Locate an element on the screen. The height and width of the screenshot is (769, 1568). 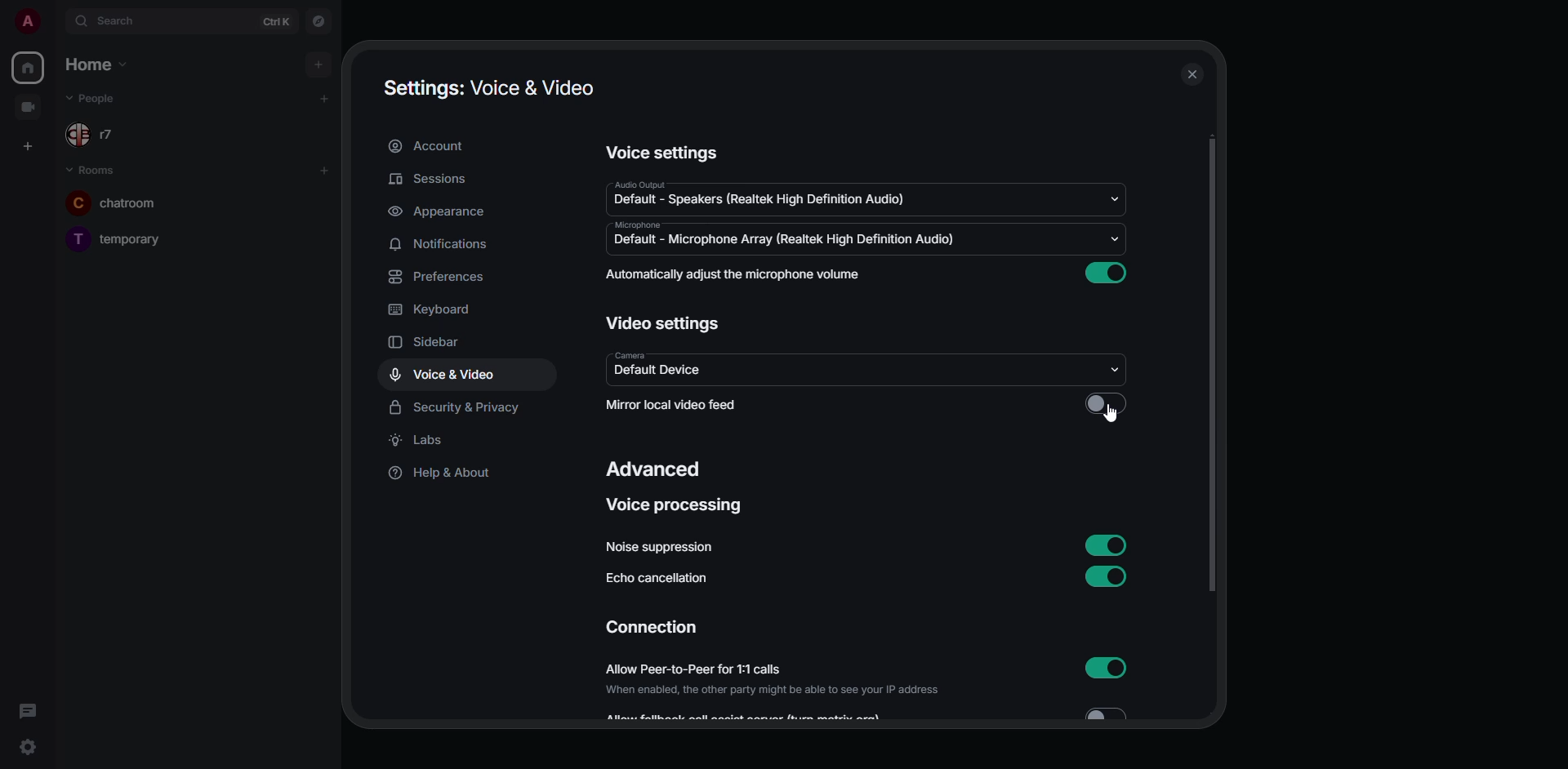
security & privacy is located at coordinates (459, 409).